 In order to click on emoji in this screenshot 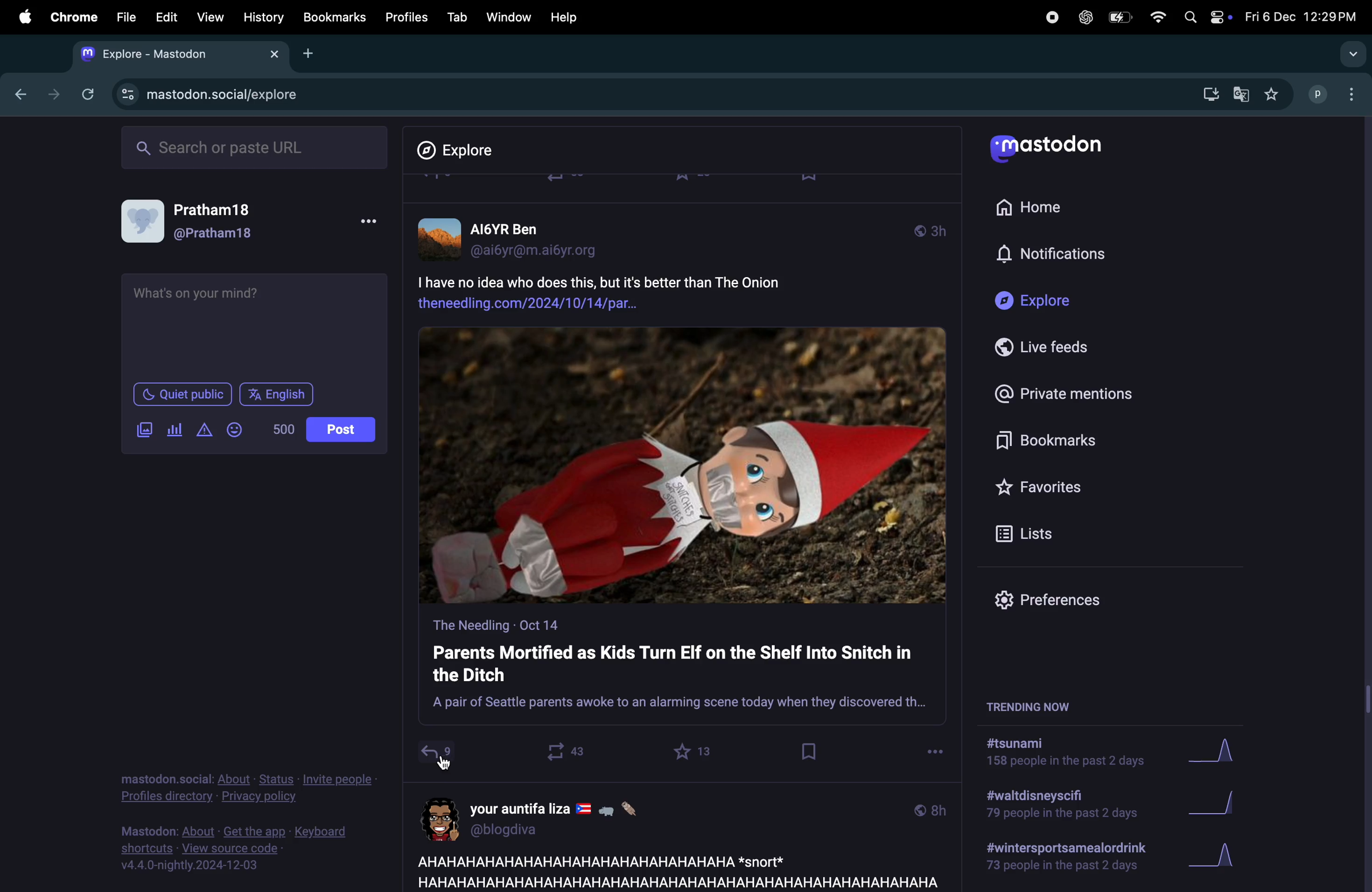, I will do `click(233, 429)`.